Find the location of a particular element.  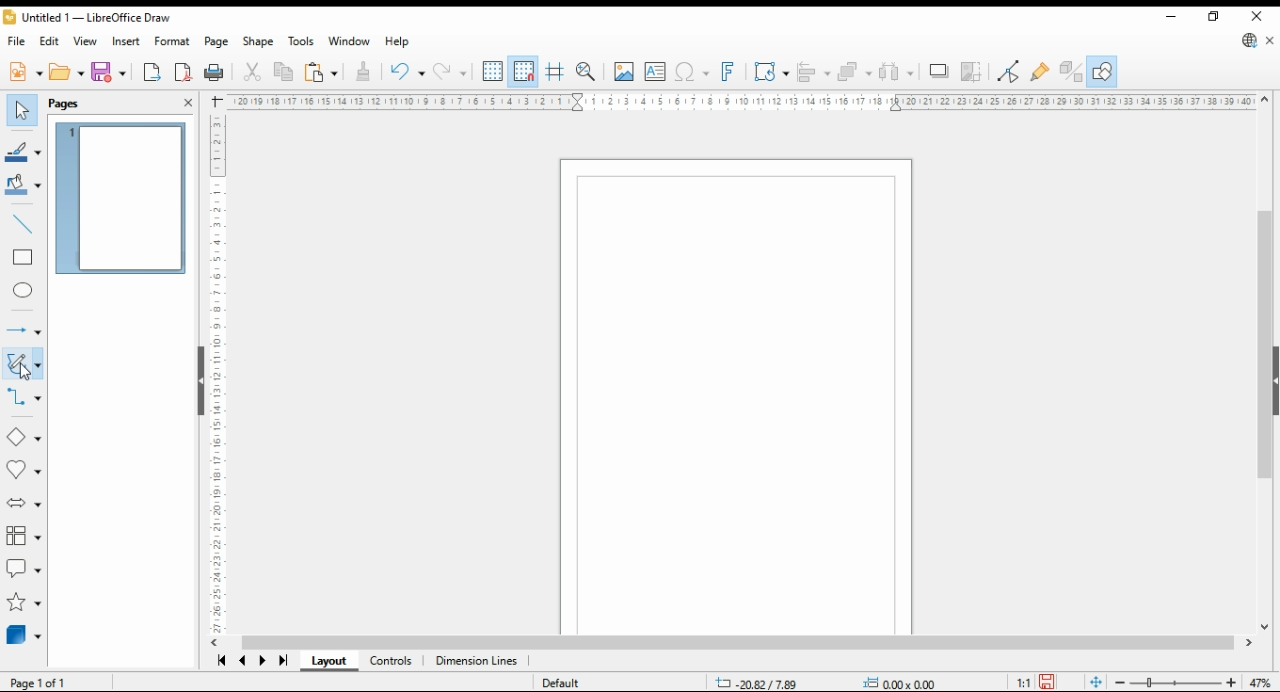

arrows  is located at coordinates (22, 329).